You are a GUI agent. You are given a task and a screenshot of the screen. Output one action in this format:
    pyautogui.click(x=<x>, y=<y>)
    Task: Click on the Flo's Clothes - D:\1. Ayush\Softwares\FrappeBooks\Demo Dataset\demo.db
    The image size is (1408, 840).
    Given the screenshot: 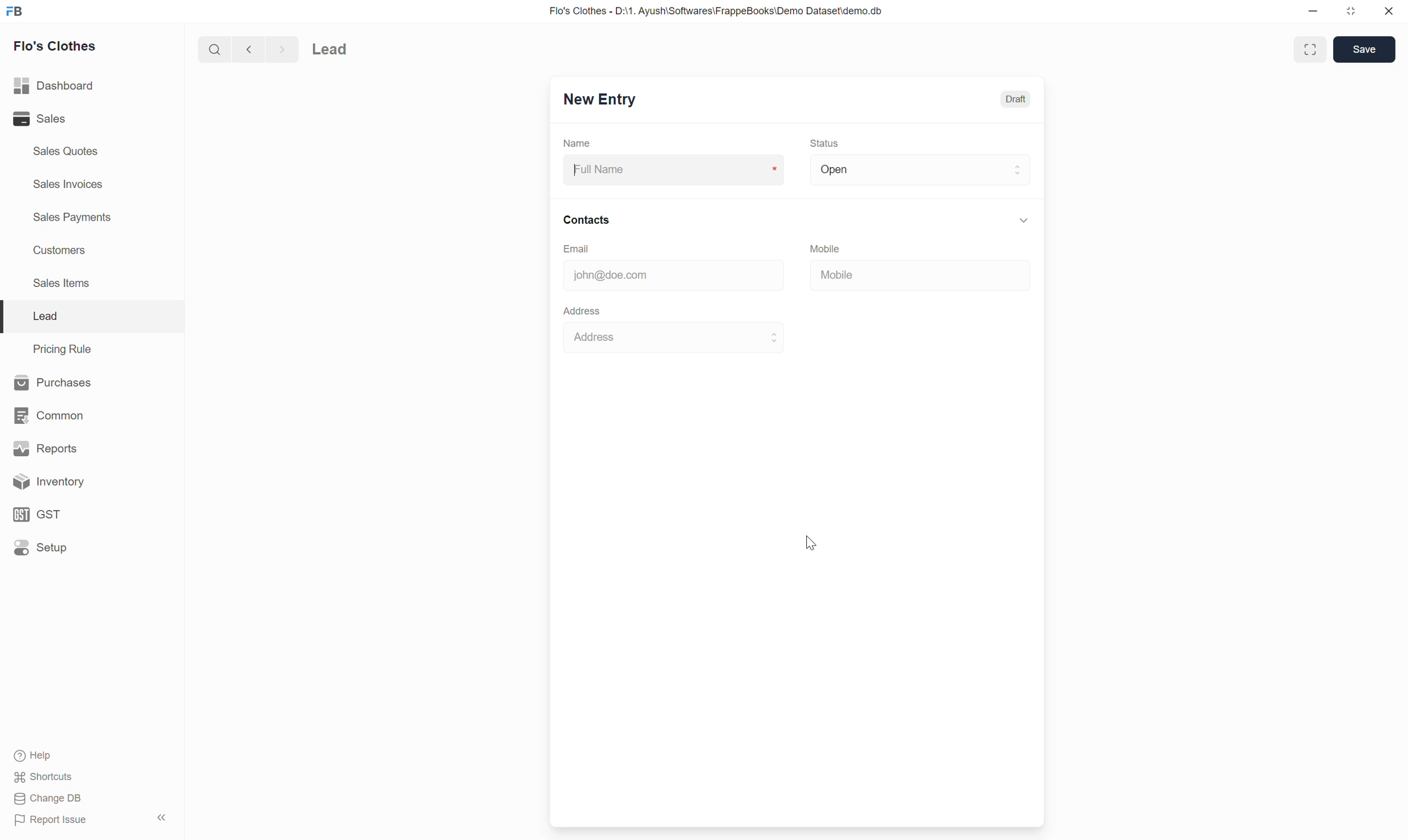 What is the action you would take?
    pyautogui.click(x=717, y=10)
    